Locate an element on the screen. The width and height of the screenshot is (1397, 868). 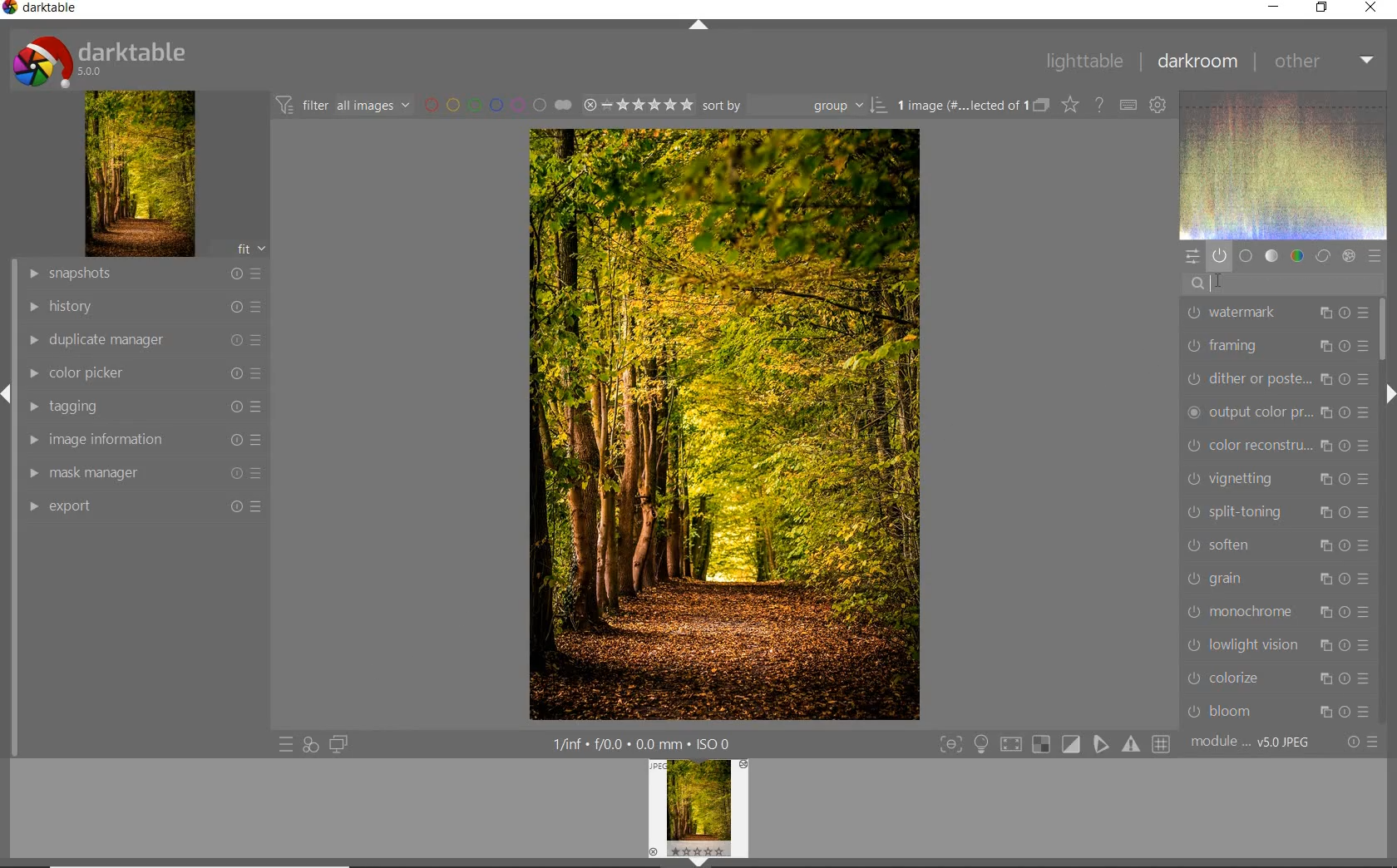
selected image range rating is located at coordinates (638, 106).